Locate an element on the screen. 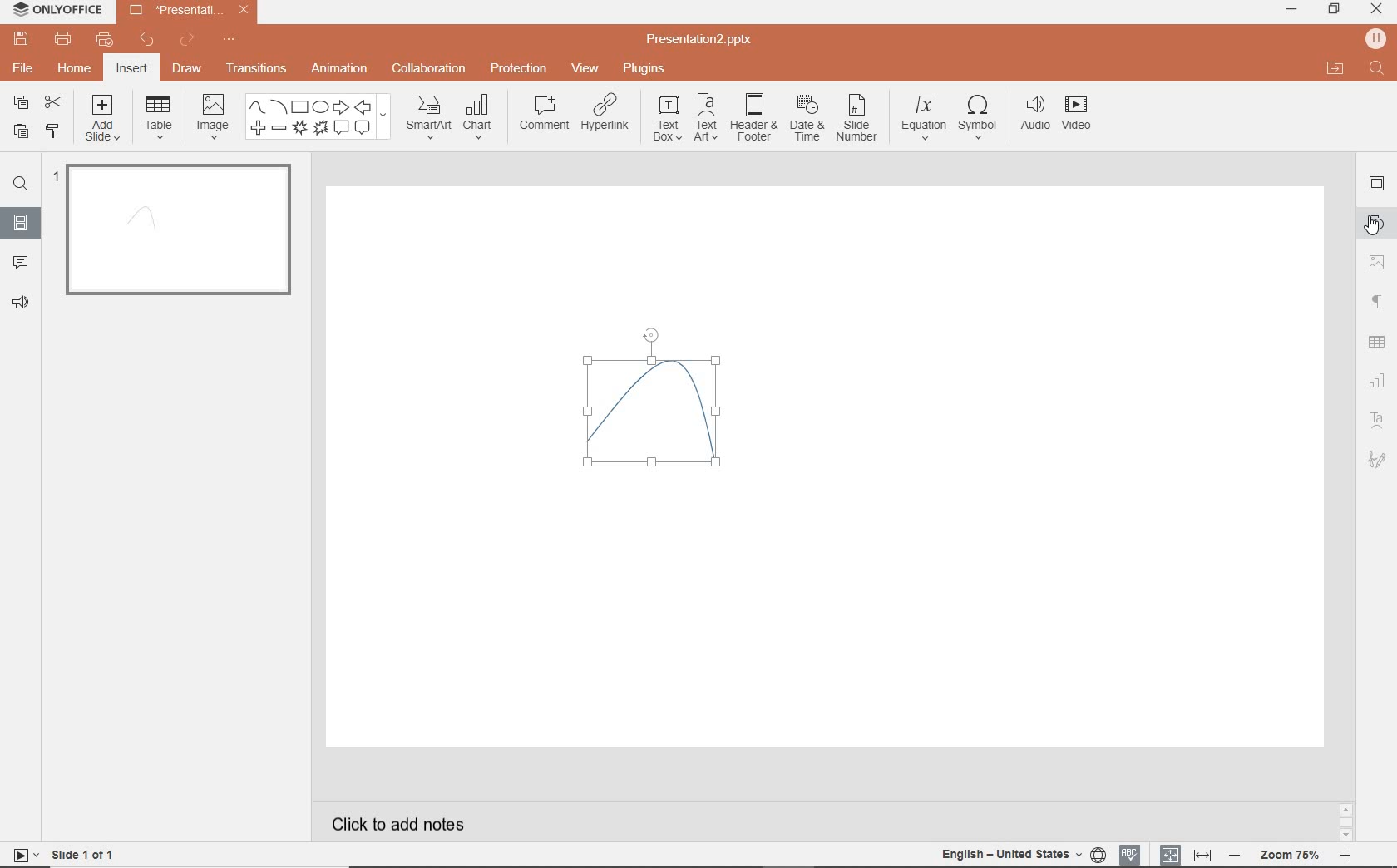 The image size is (1397, 868). Presentation2.pptx is located at coordinates (701, 42).